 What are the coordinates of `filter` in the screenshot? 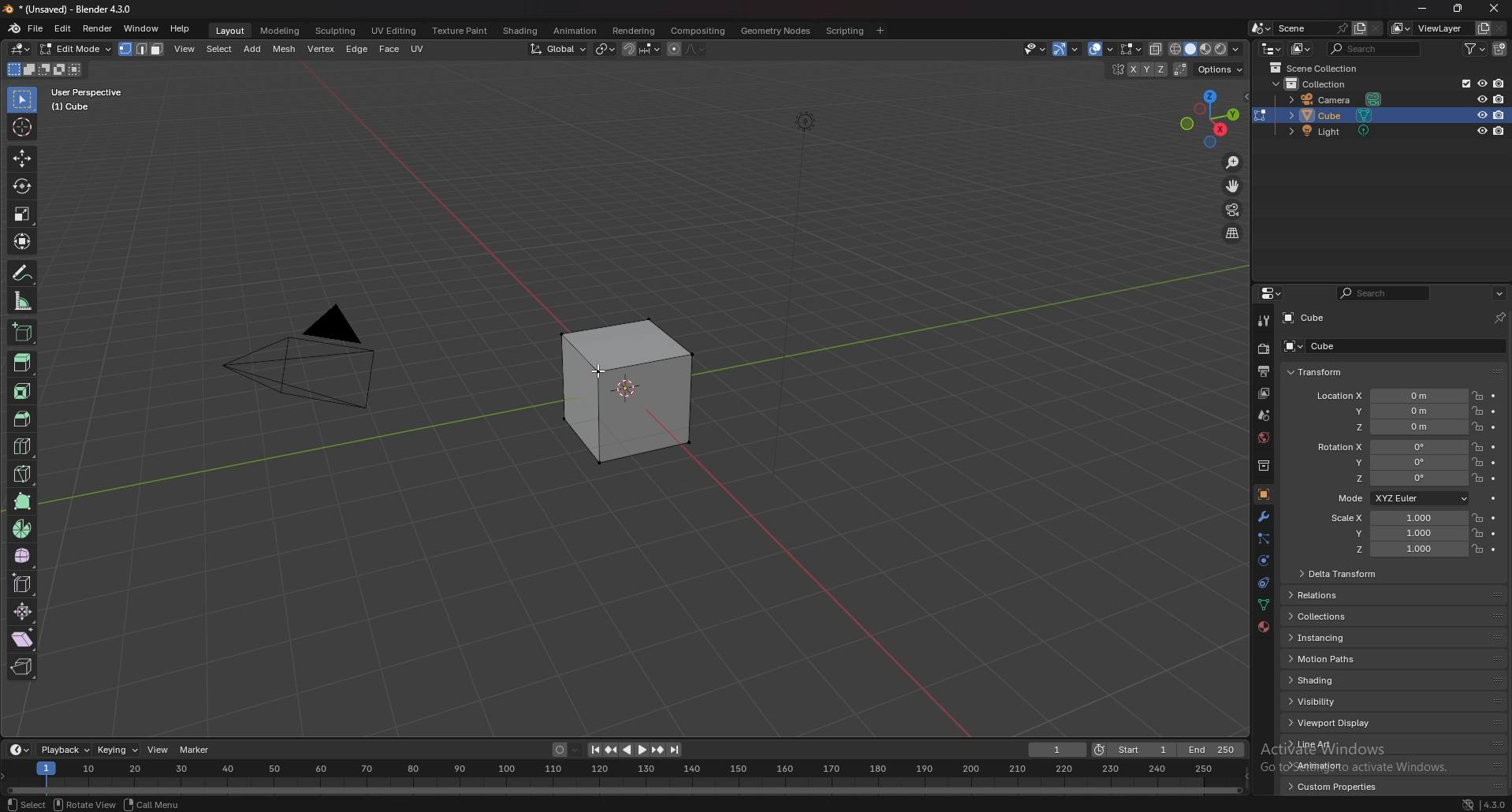 It's located at (1477, 47).